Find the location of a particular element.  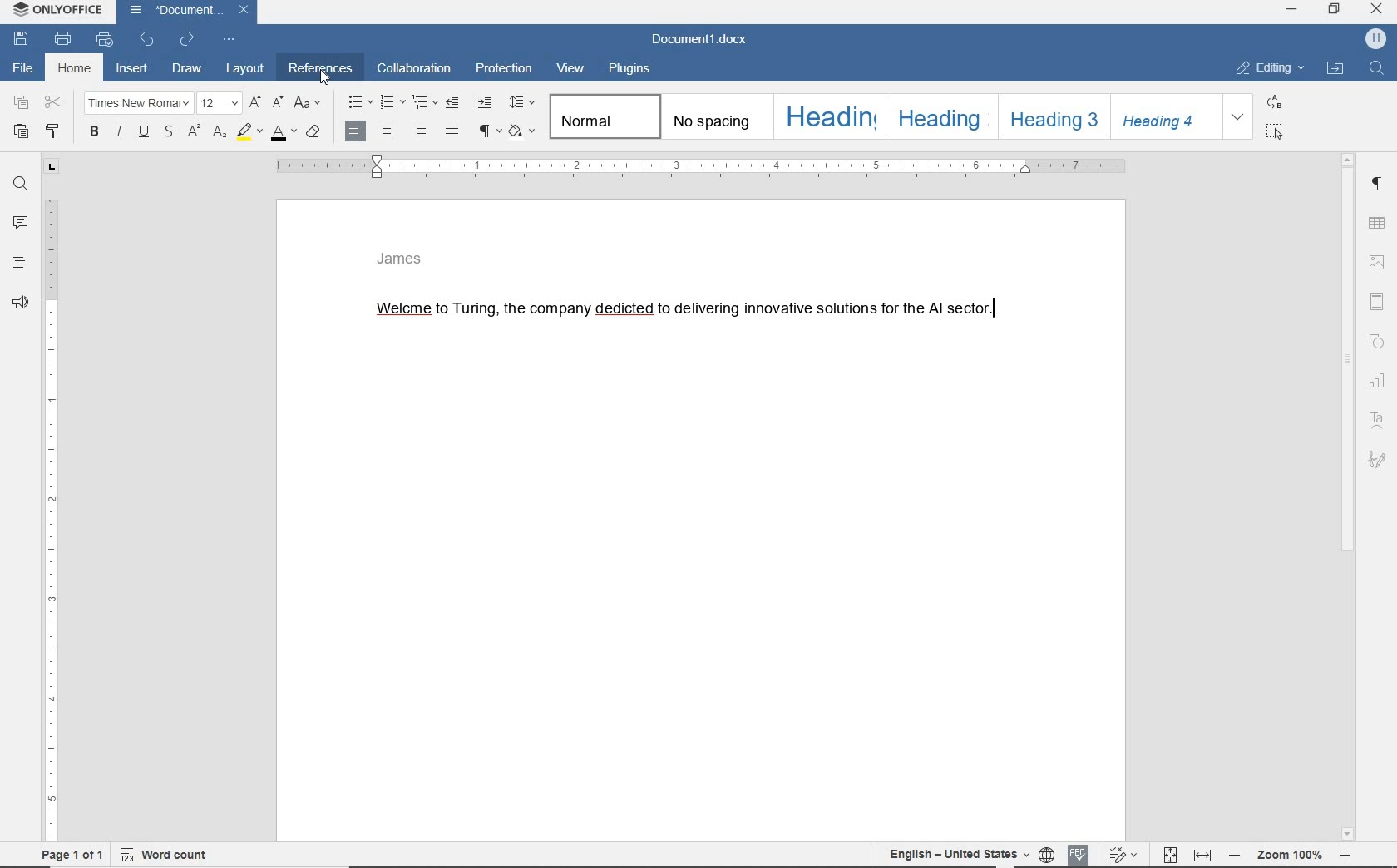

CHART is located at coordinates (1380, 380).